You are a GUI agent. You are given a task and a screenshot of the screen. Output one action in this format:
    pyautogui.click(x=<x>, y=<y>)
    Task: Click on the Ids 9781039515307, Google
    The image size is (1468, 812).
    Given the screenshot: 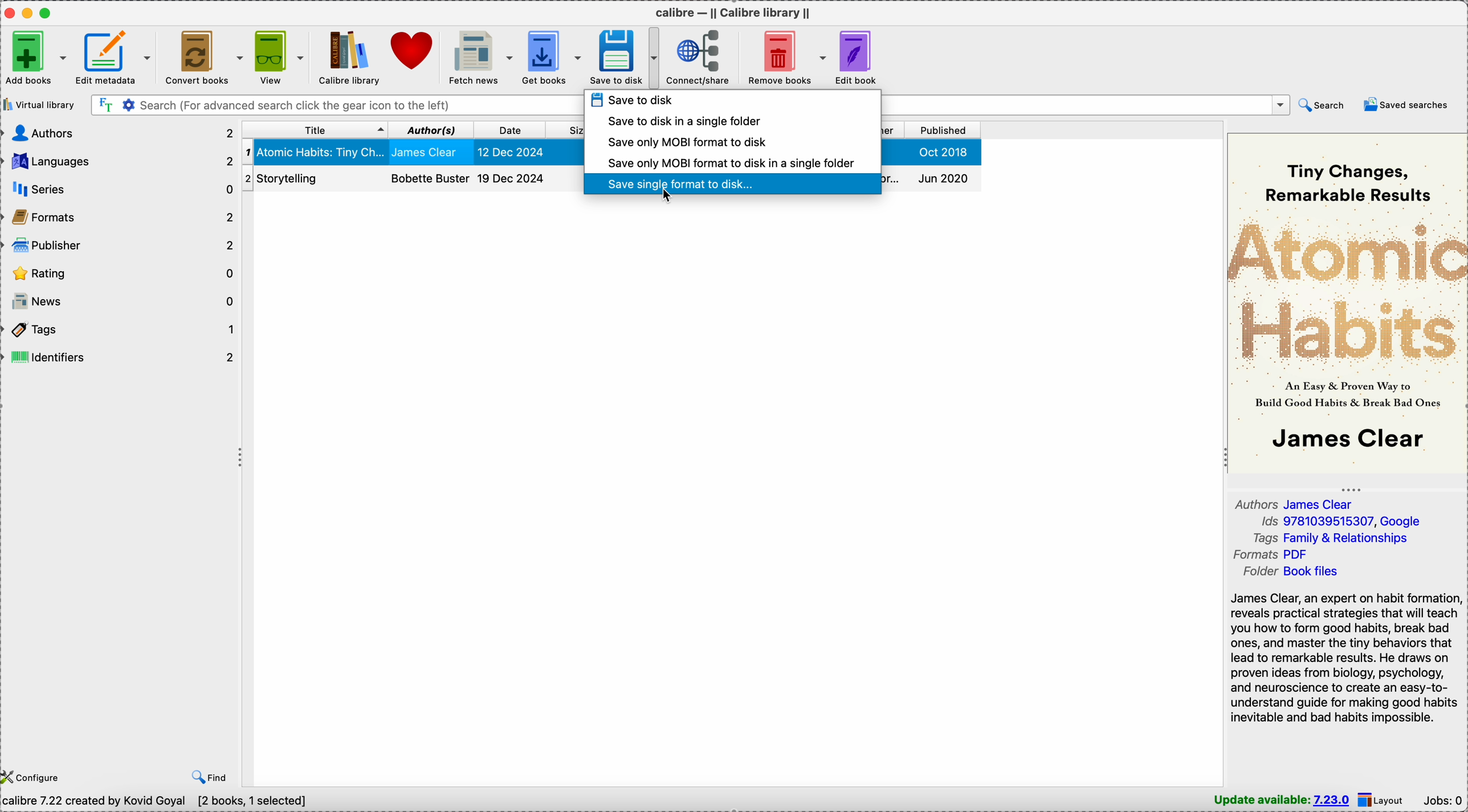 What is the action you would take?
    pyautogui.click(x=1341, y=521)
    